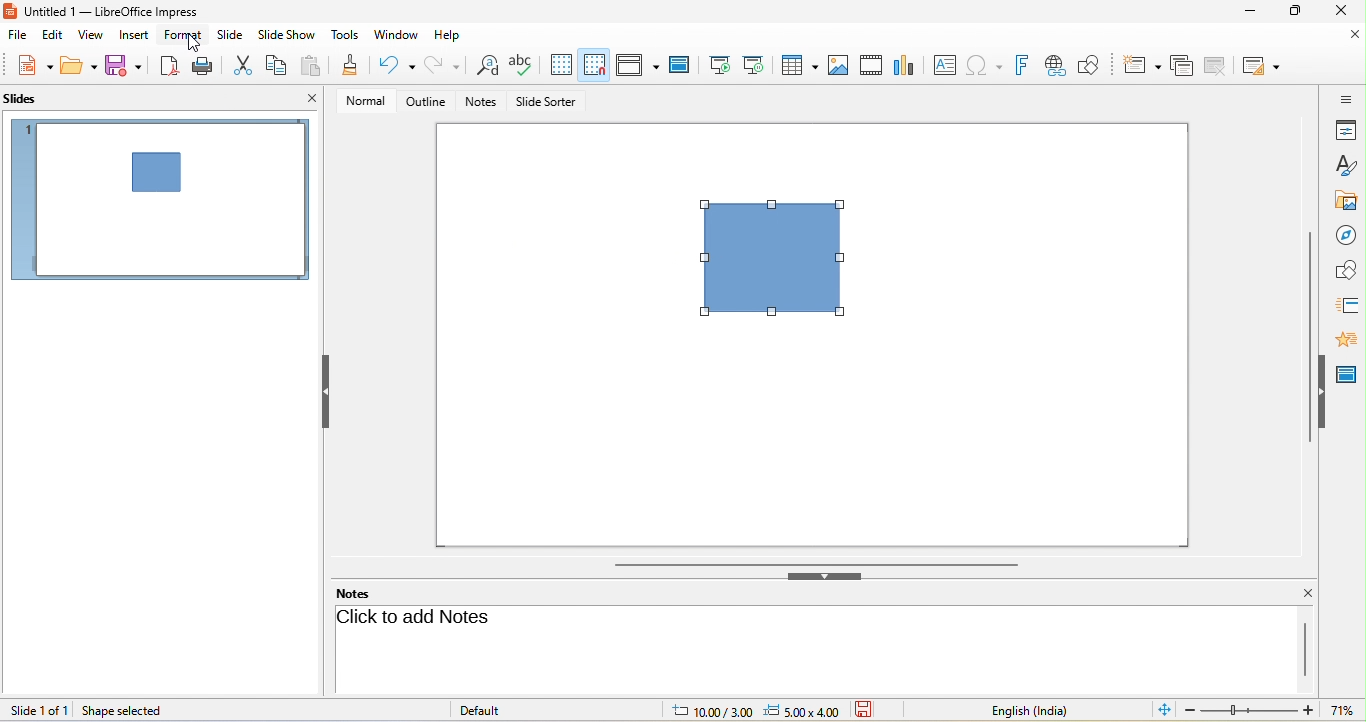 The image size is (1366, 722). What do you see at coordinates (1216, 64) in the screenshot?
I see `delete slide` at bounding box center [1216, 64].